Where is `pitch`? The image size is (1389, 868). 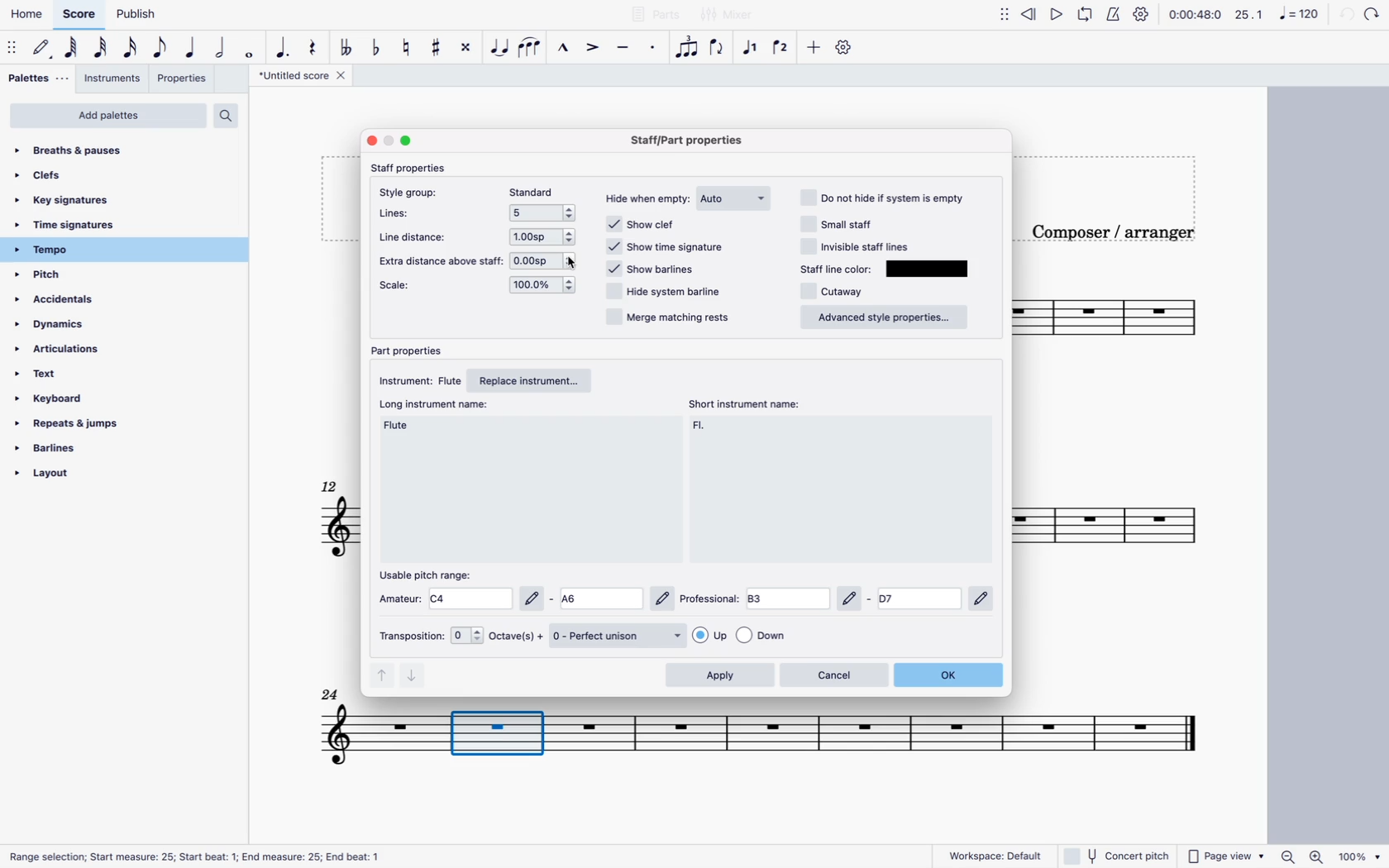
pitch is located at coordinates (65, 276).